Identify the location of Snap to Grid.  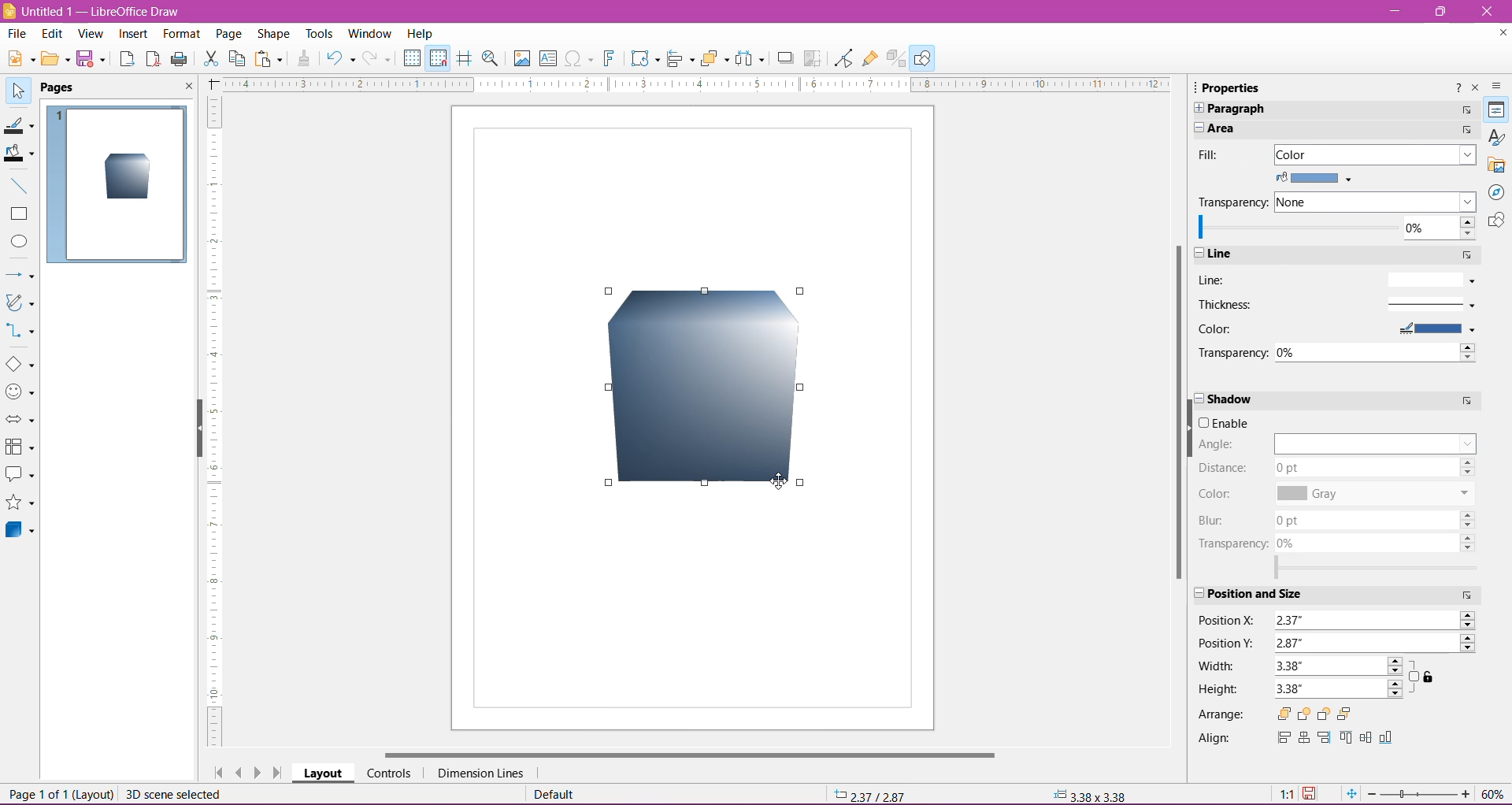
(437, 57).